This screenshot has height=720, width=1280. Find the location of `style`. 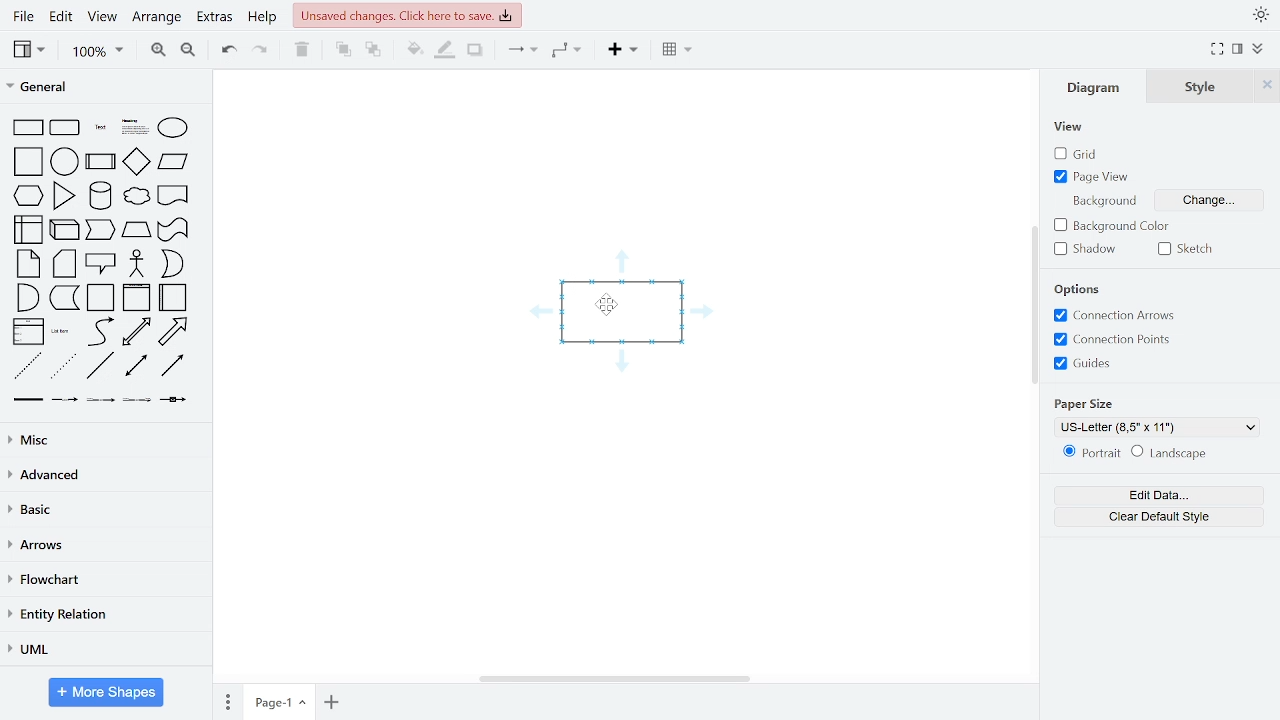

style is located at coordinates (1202, 87).